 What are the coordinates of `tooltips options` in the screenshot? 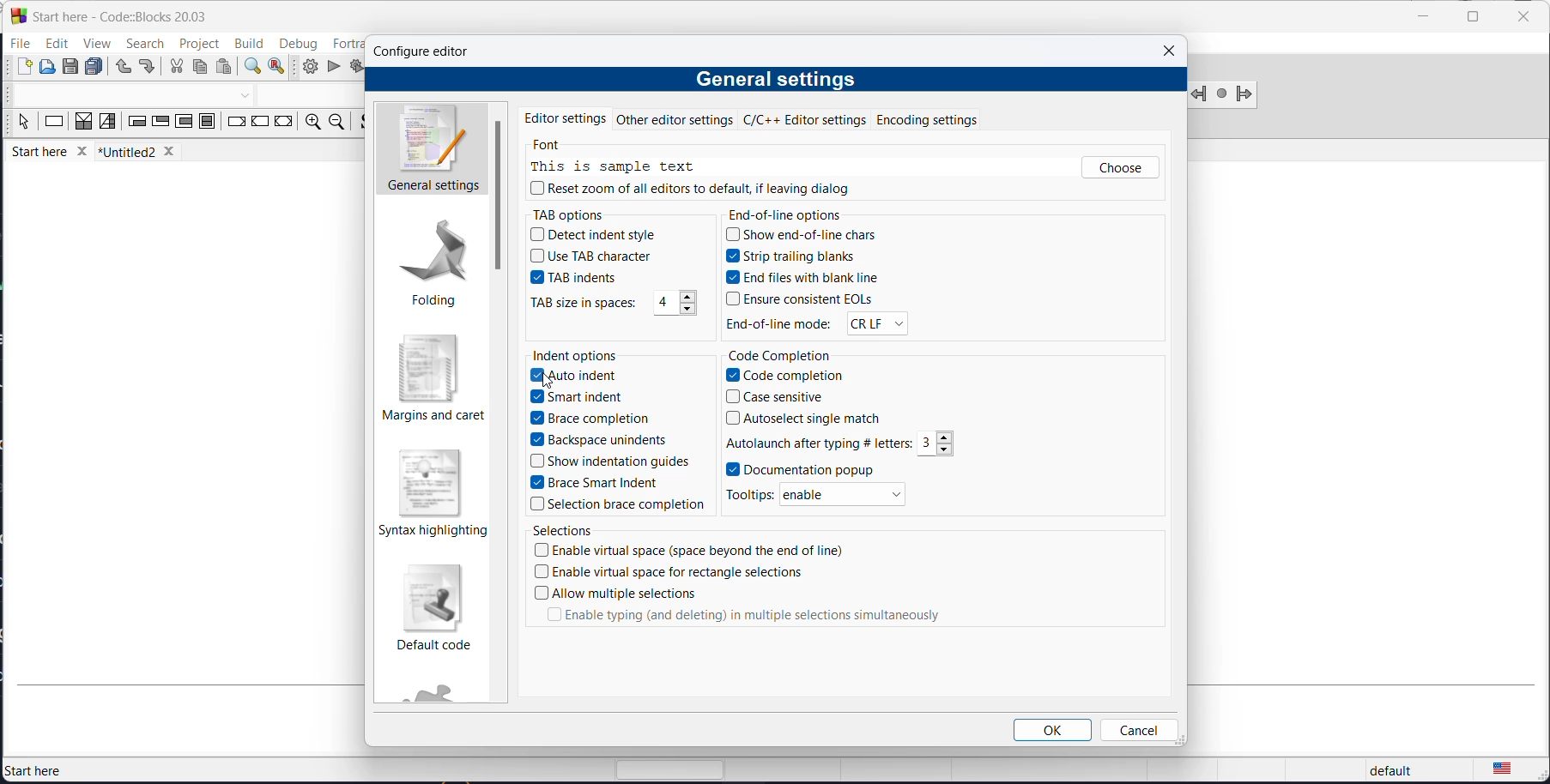 It's located at (754, 494).